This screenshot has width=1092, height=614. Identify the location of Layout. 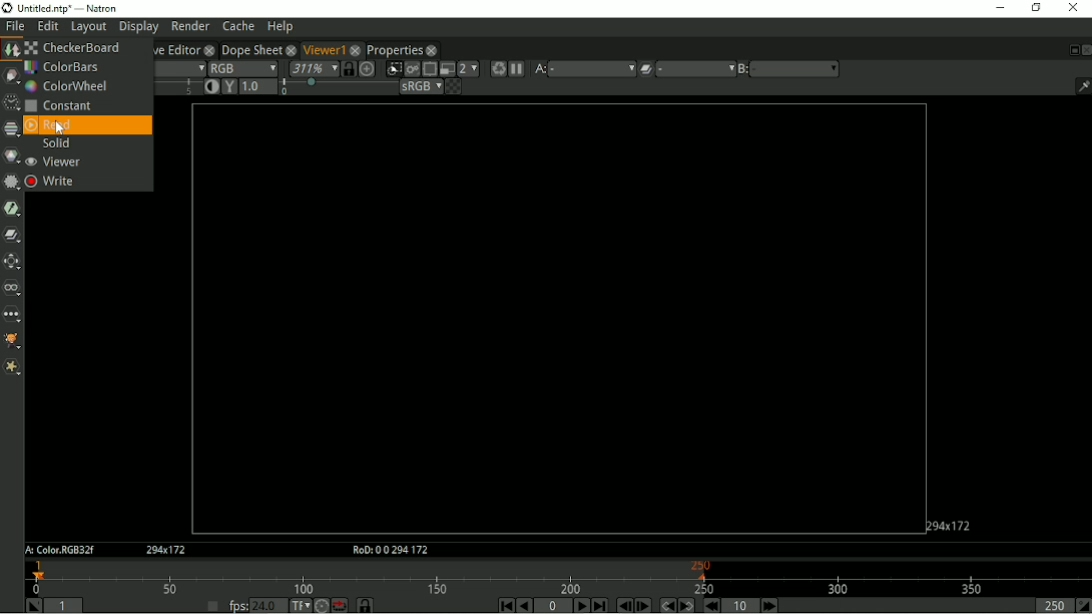
(88, 27).